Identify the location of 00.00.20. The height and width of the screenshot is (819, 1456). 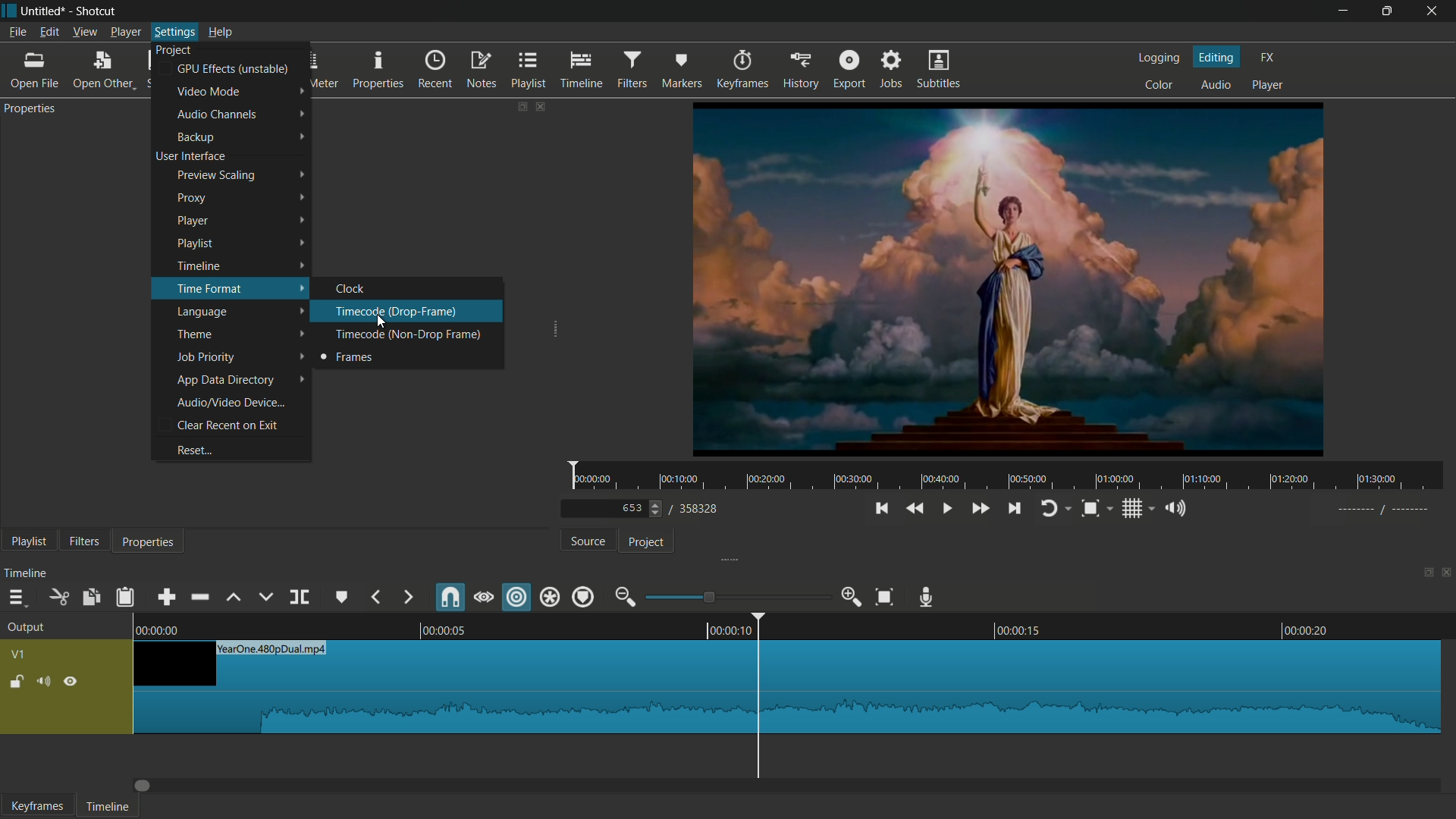
(1306, 628).